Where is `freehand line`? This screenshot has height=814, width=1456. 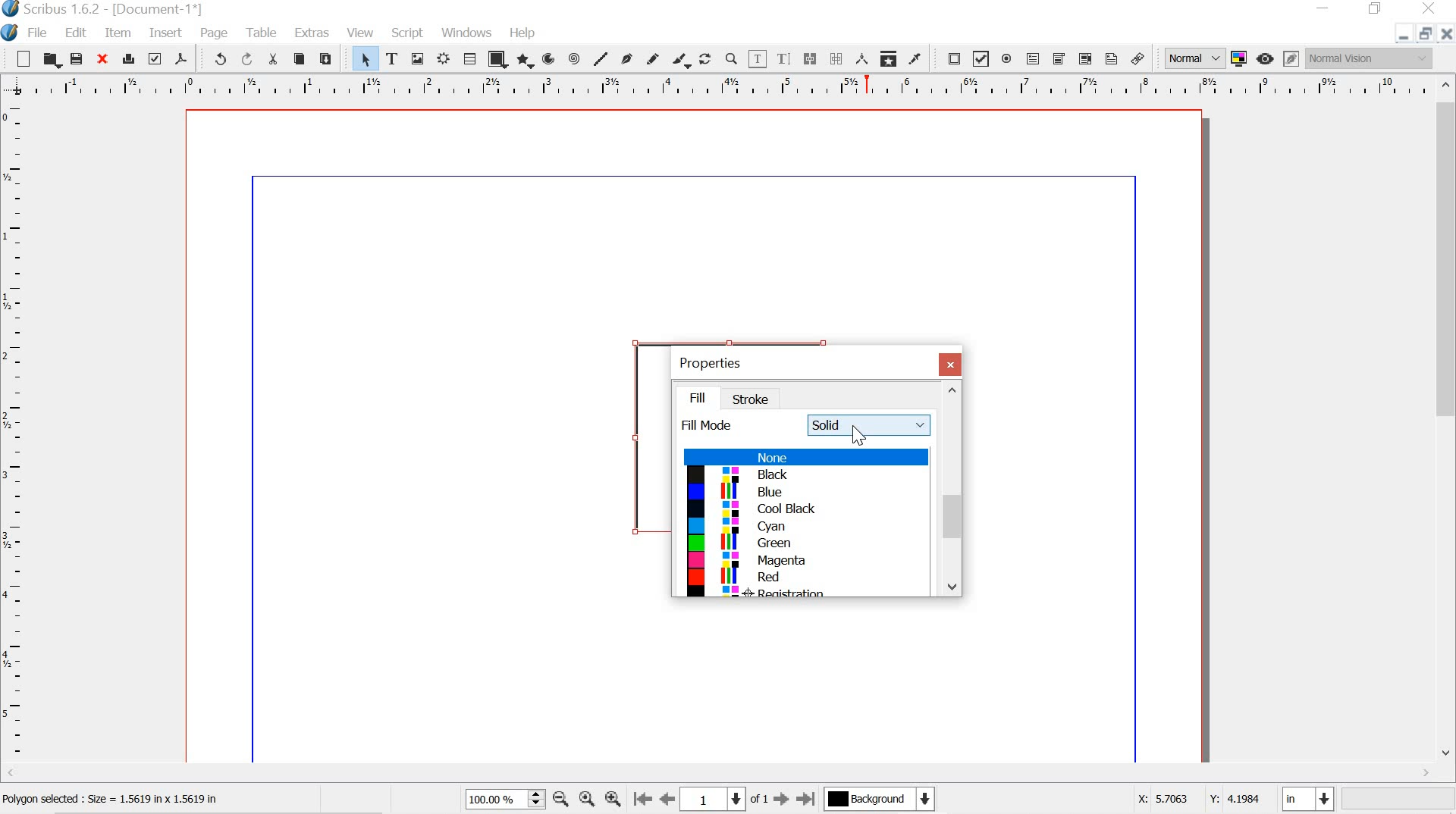 freehand line is located at coordinates (652, 58).